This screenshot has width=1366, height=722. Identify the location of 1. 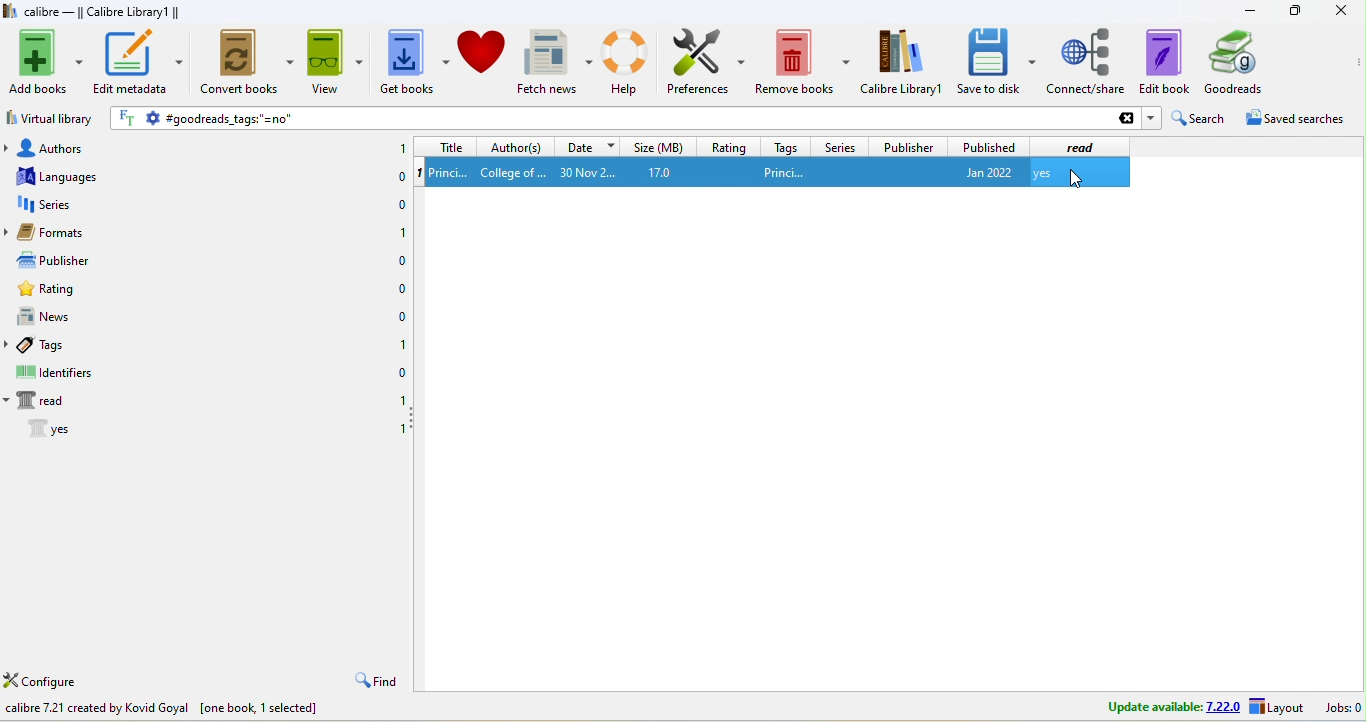
(401, 146).